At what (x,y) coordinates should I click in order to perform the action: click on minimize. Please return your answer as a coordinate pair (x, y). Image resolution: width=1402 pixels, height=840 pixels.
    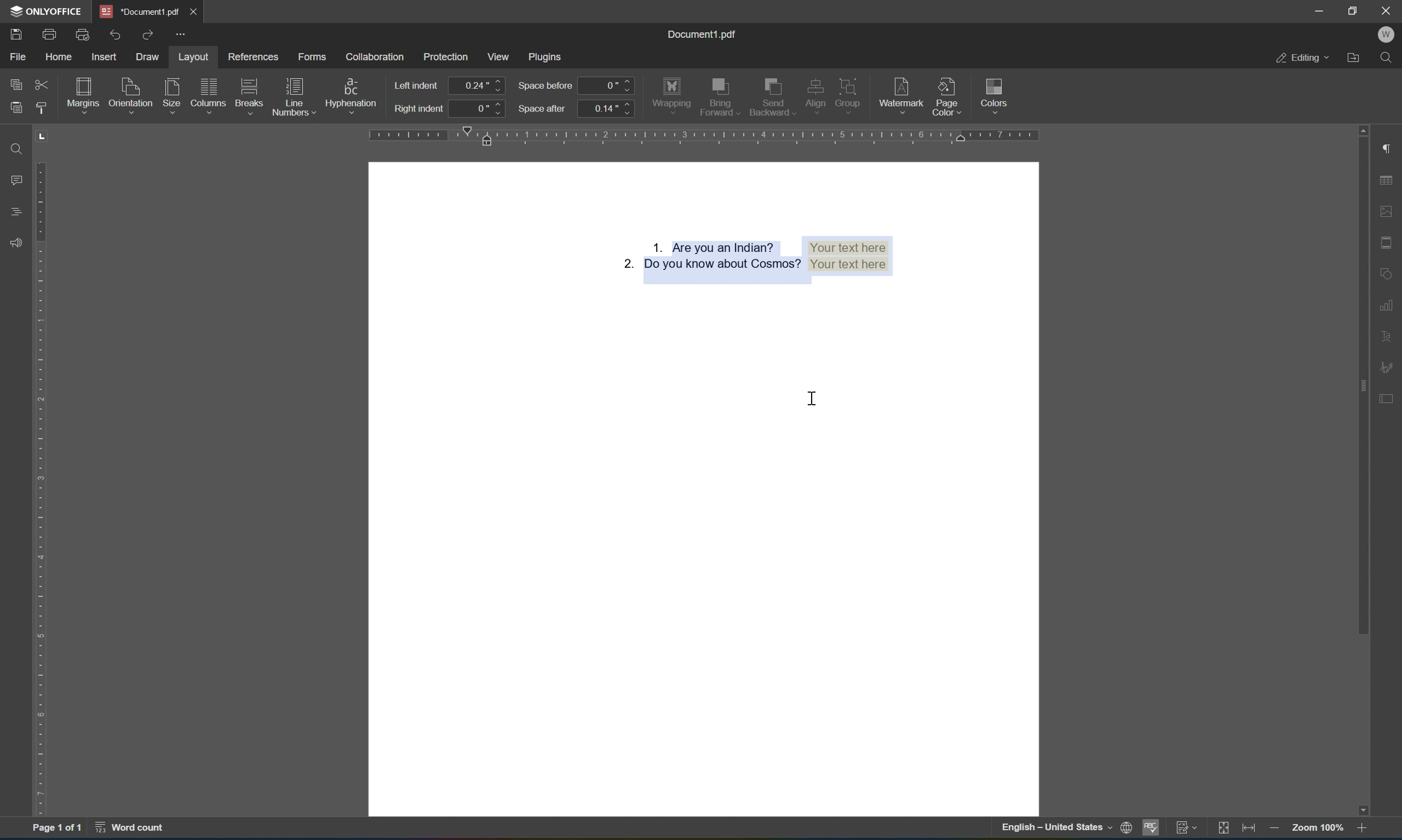
    Looking at the image, I should click on (1320, 8).